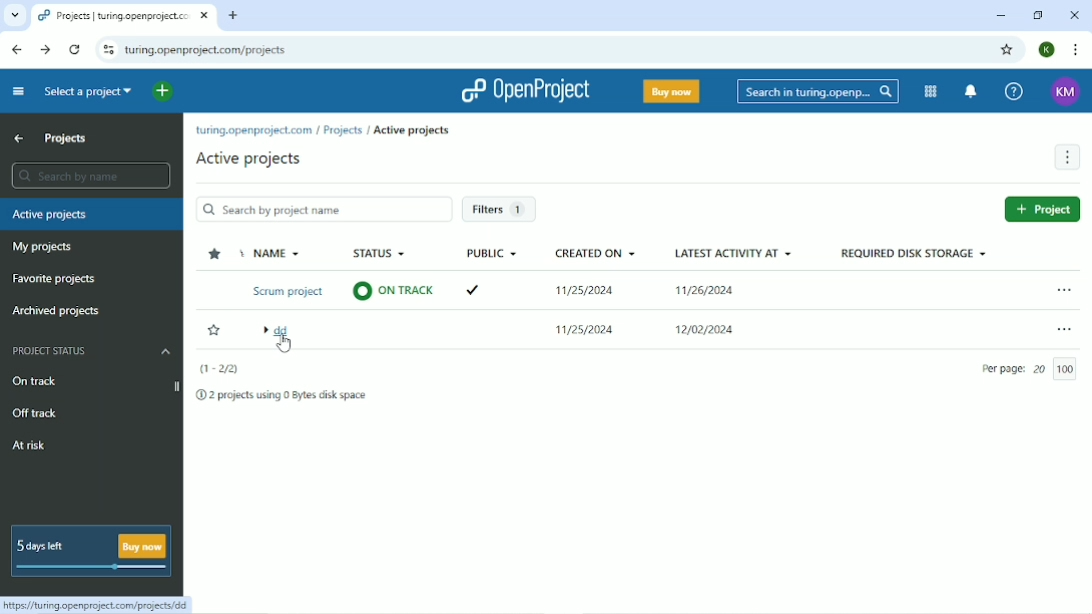 The width and height of the screenshot is (1092, 614). I want to click on Minimize, so click(1001, 16).